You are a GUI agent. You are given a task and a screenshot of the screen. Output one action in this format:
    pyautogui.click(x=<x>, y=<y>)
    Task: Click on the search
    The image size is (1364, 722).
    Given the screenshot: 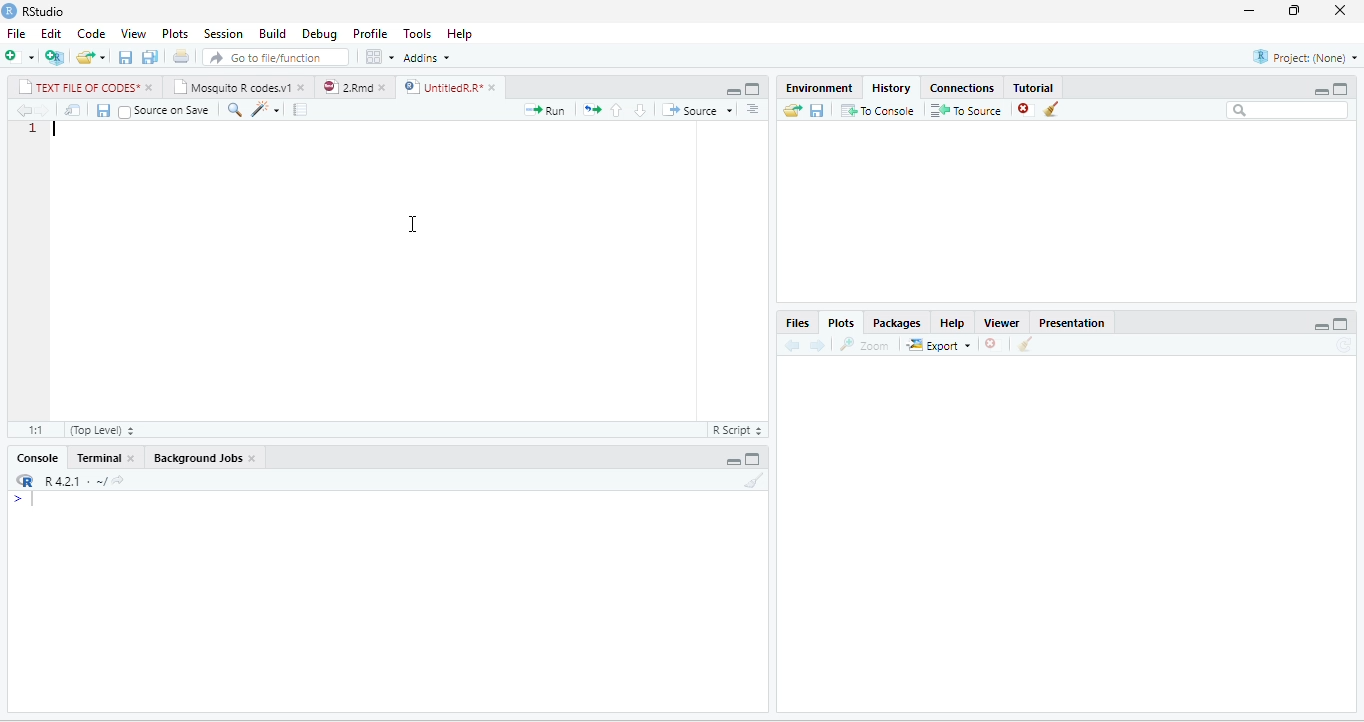 What is the action you would take?
    pyautogui.click(x=234, y=110)
    